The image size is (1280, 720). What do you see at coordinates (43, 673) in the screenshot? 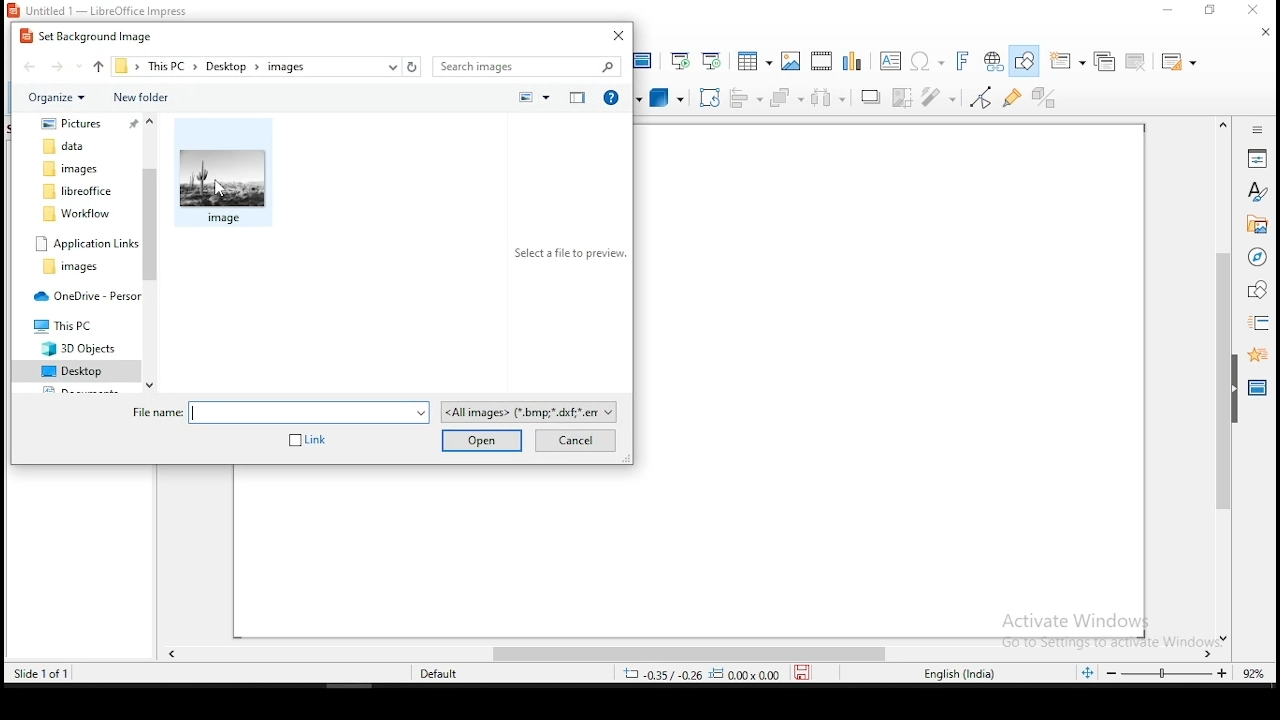
I see `slide of 1 of 1` at bounding box center [43, 673].